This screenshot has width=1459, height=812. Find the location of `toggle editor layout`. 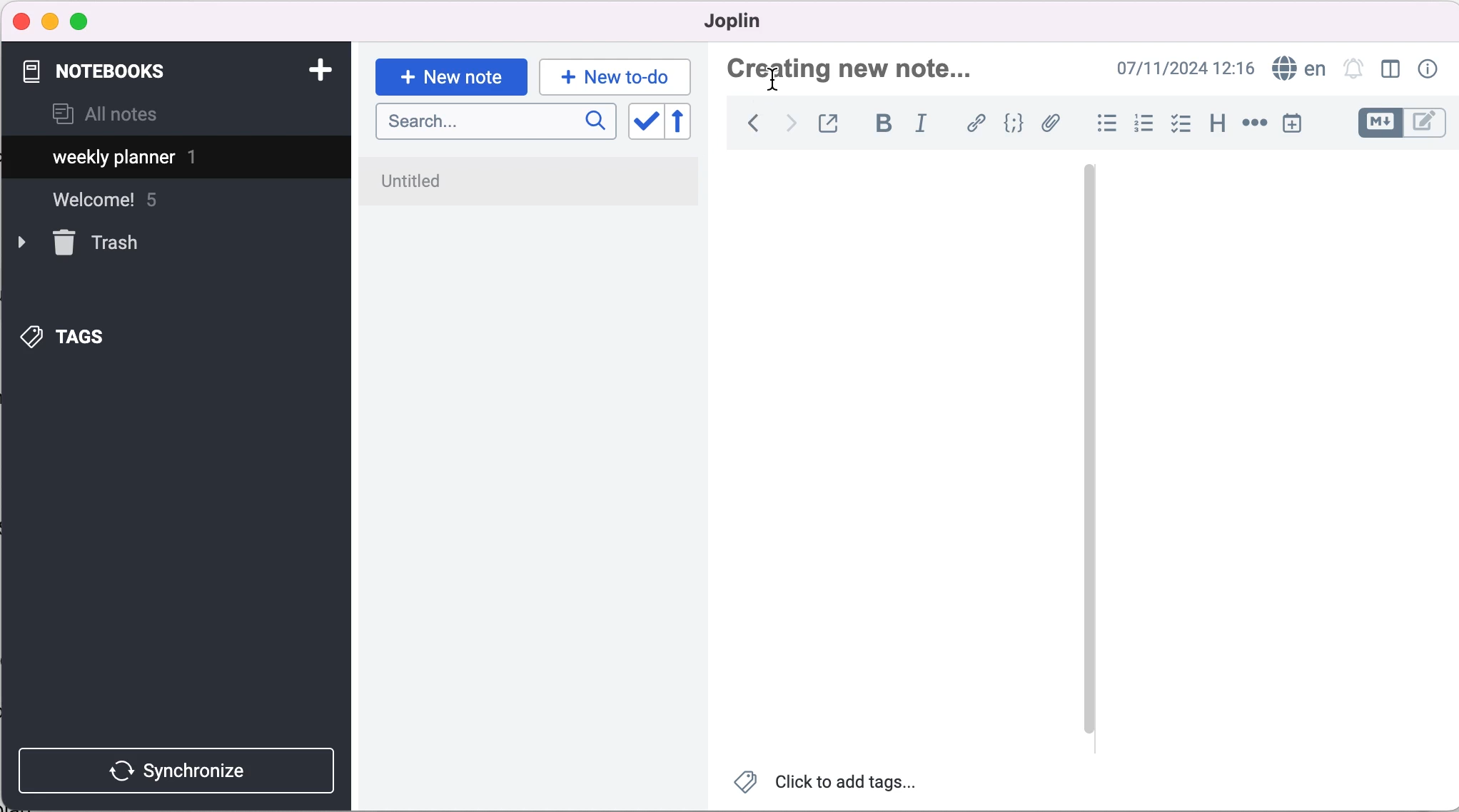

toggle editor layout is located at coordinates (1394, 71).